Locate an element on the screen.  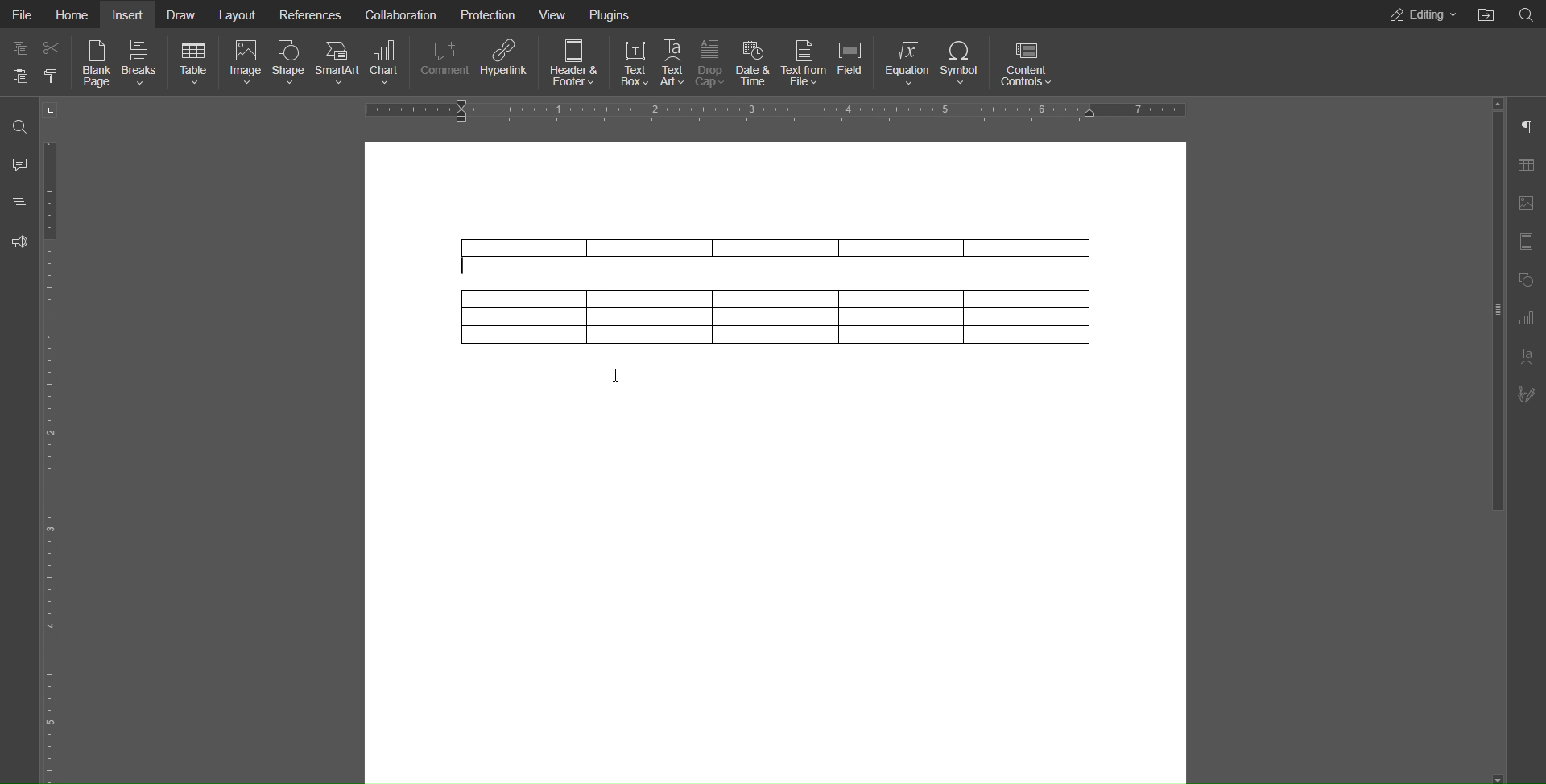
Editing is located at coordinates (1417, 14).